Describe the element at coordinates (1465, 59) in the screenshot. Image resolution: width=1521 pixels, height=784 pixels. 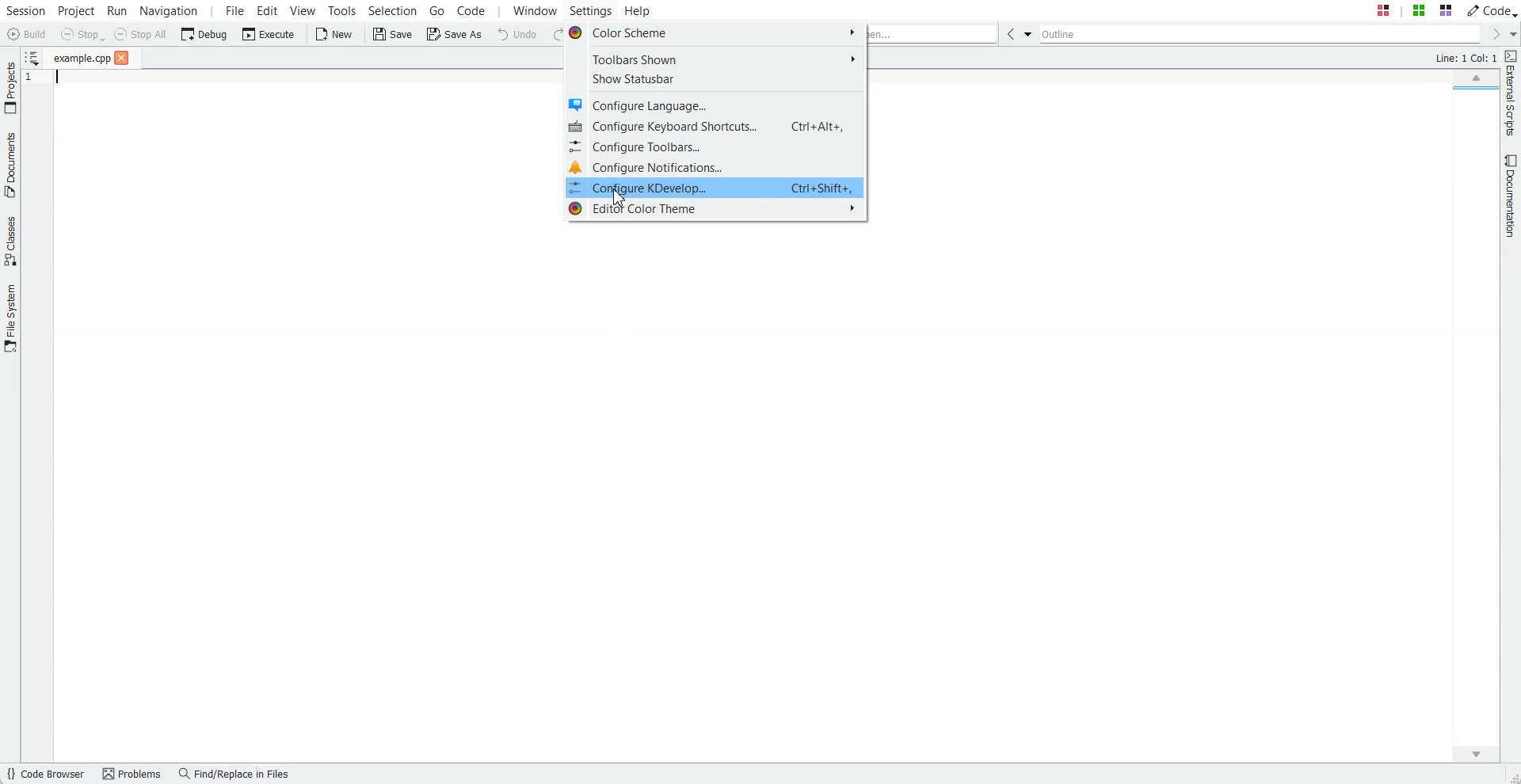
I see `Text` at that location.